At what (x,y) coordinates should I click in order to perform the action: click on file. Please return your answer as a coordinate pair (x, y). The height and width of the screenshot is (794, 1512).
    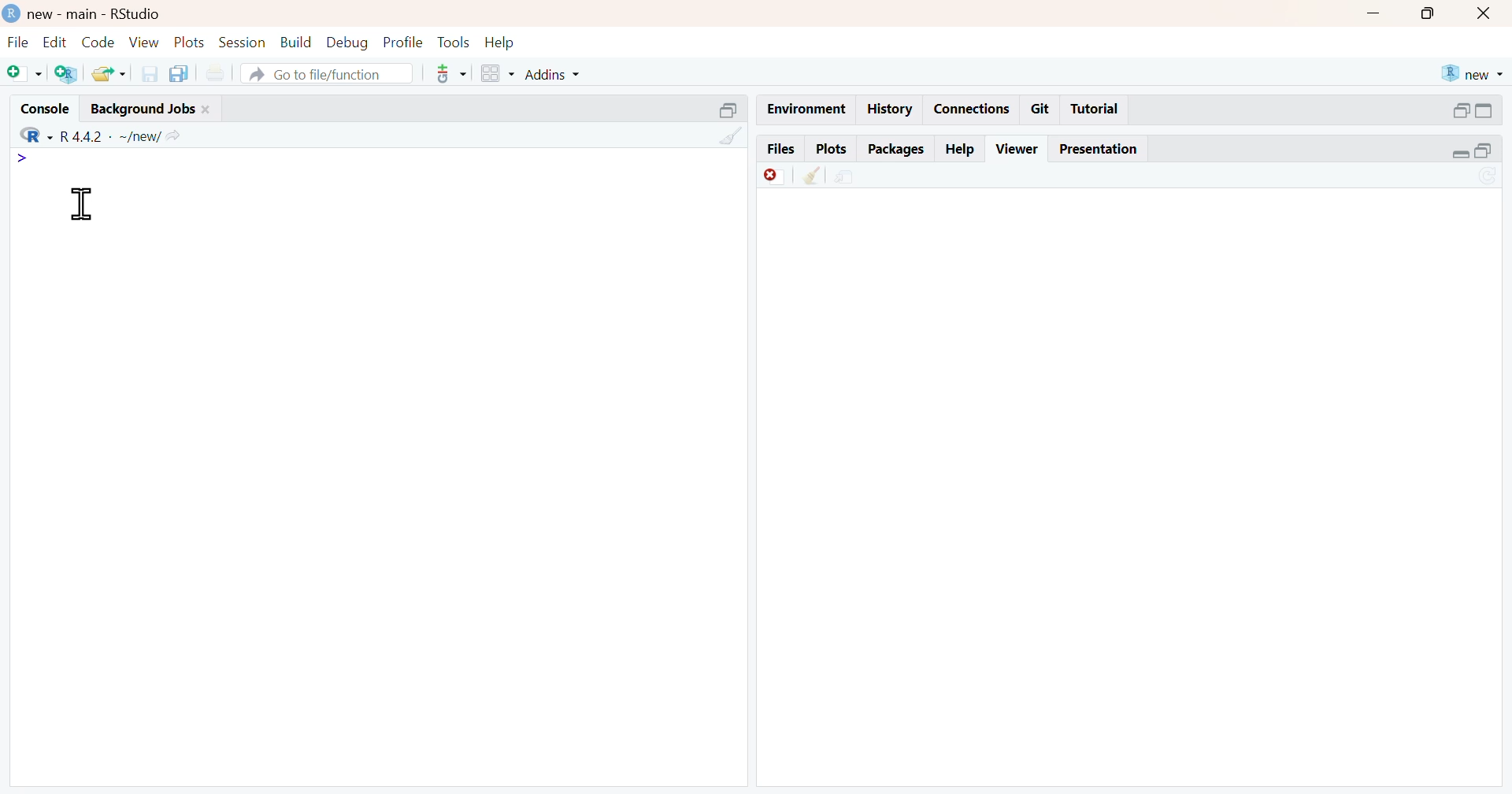
    Looking at the image, I should click on (17, 43).